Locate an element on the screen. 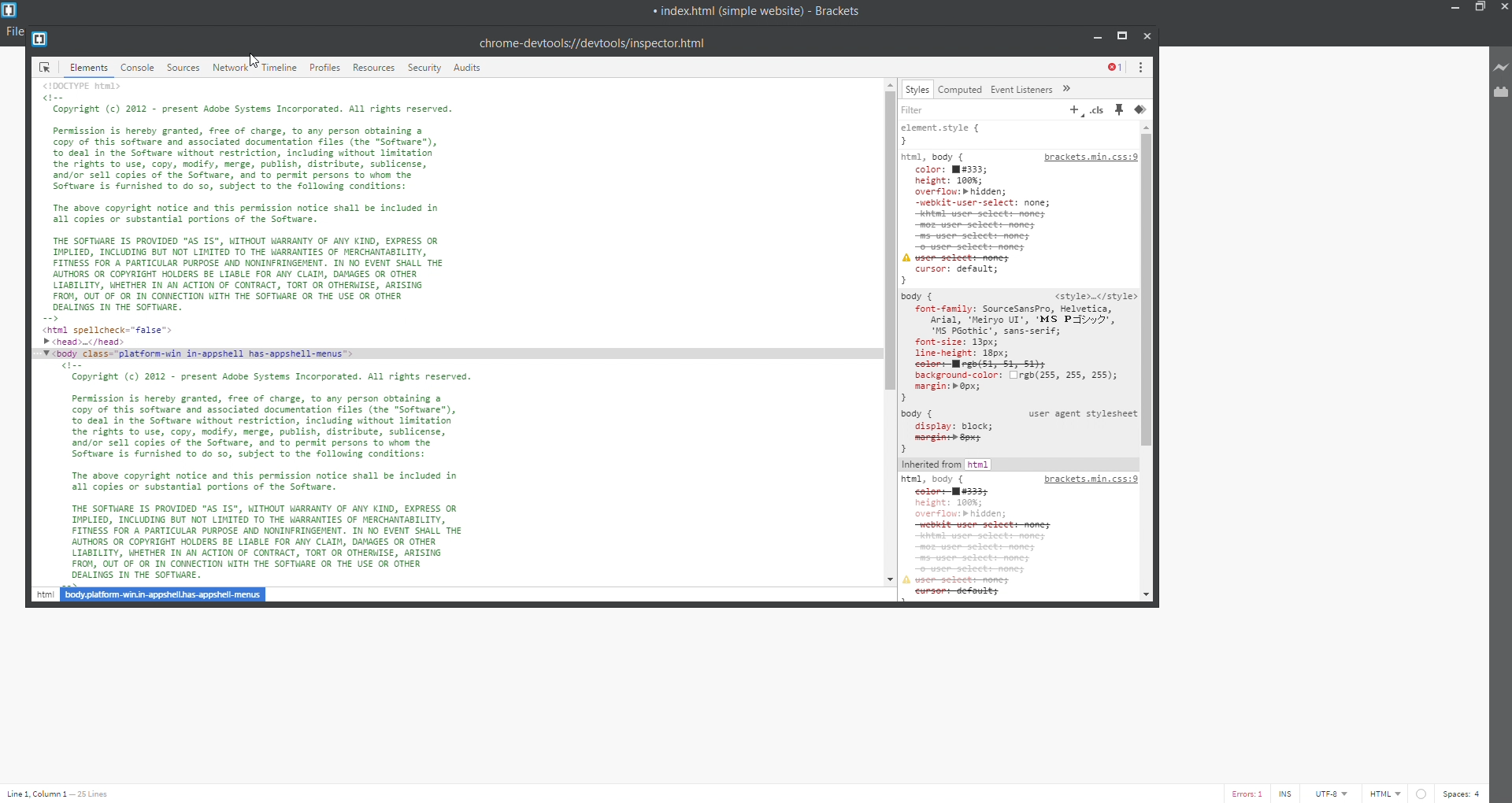 The image size is (1512, 803). elements is located at coordinates (88, 68).